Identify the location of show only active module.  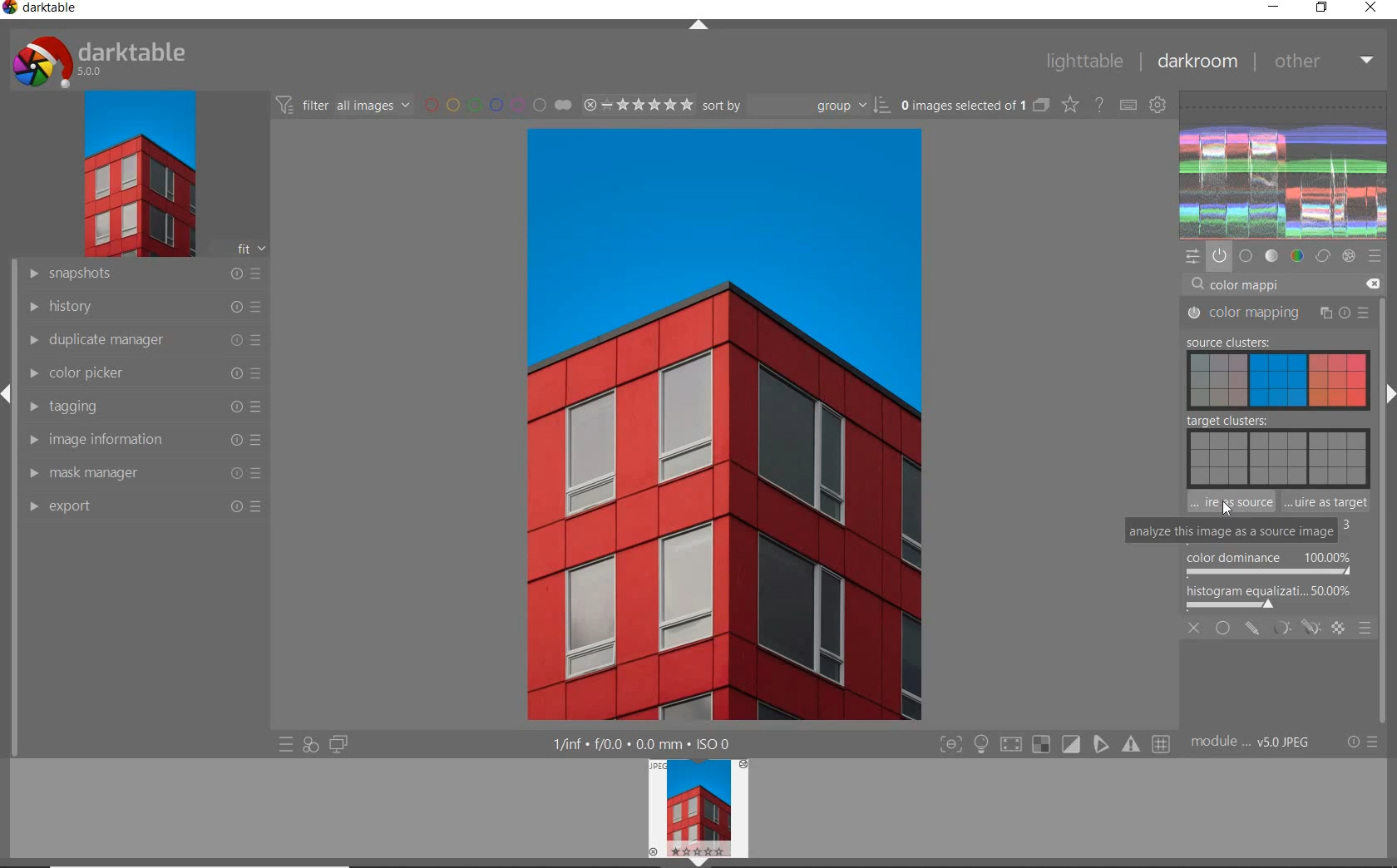
(1220, 257).